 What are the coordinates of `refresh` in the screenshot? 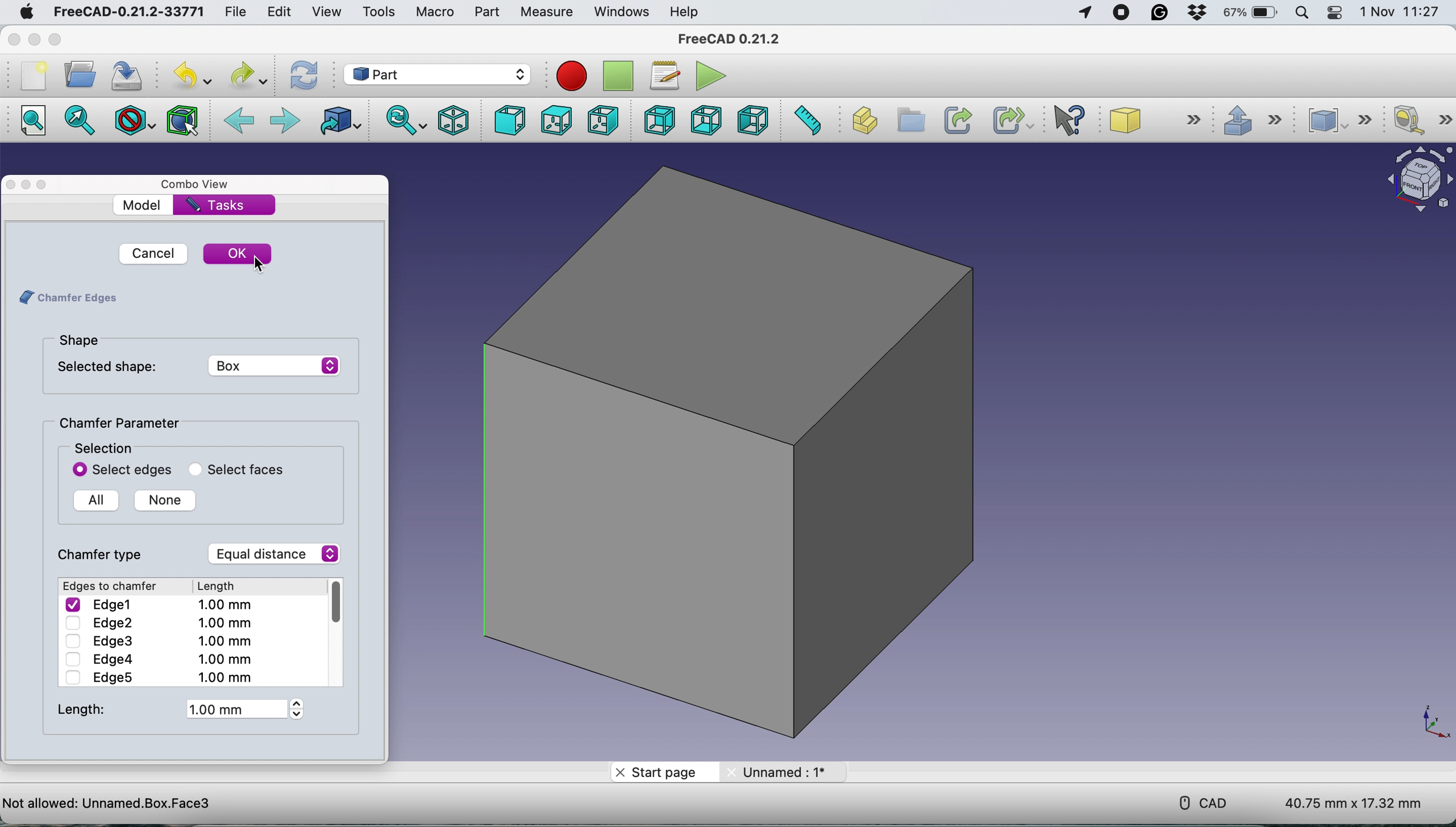 It's located at (302, 73).